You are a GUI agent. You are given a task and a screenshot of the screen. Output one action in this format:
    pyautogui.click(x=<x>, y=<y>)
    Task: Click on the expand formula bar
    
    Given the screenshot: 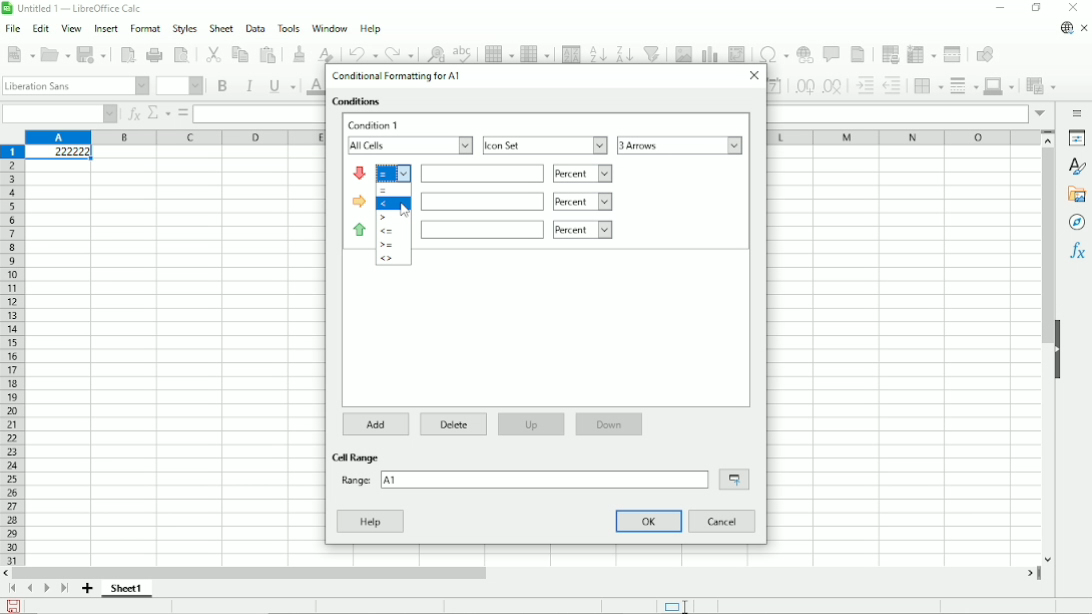 What is the action you would take?
    pyautogui.click(x=1040, y=114)
    